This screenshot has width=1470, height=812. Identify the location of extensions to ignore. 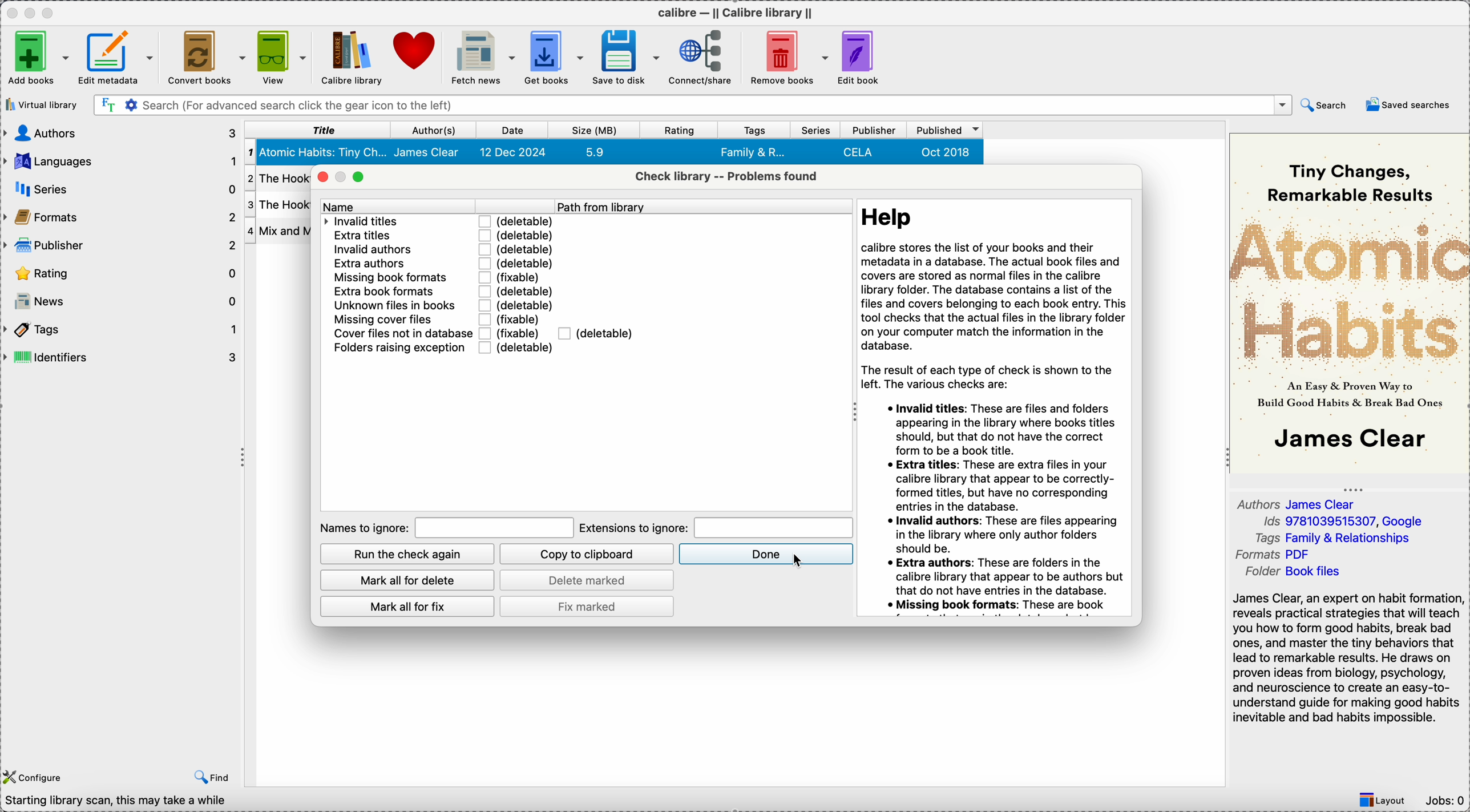
(634, 529).